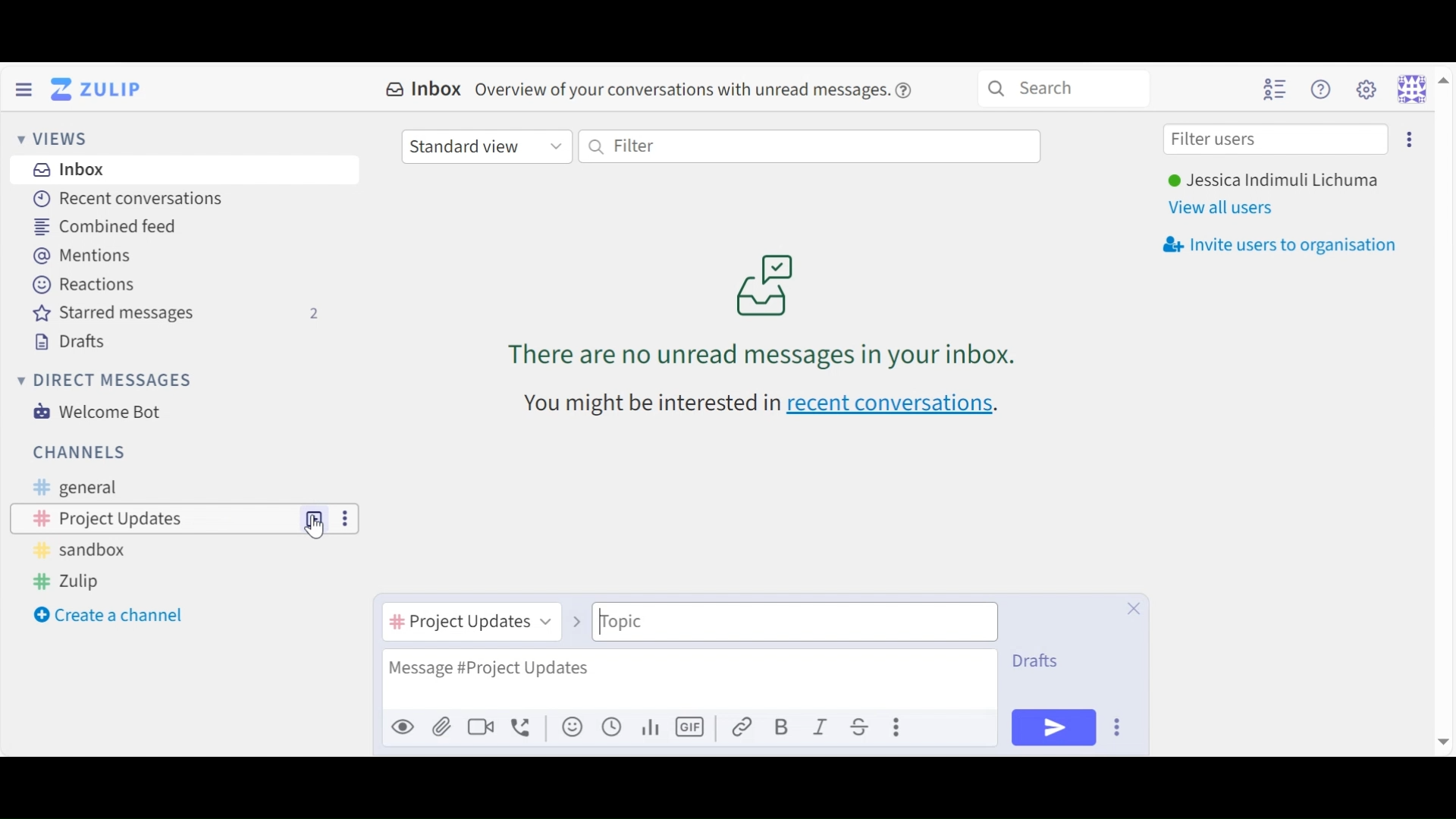 The height and width of the screenshot is (819, 1456). Describe the element at coordinates (573, 727) in the screenshot. I see `Add an emoji` at that location.